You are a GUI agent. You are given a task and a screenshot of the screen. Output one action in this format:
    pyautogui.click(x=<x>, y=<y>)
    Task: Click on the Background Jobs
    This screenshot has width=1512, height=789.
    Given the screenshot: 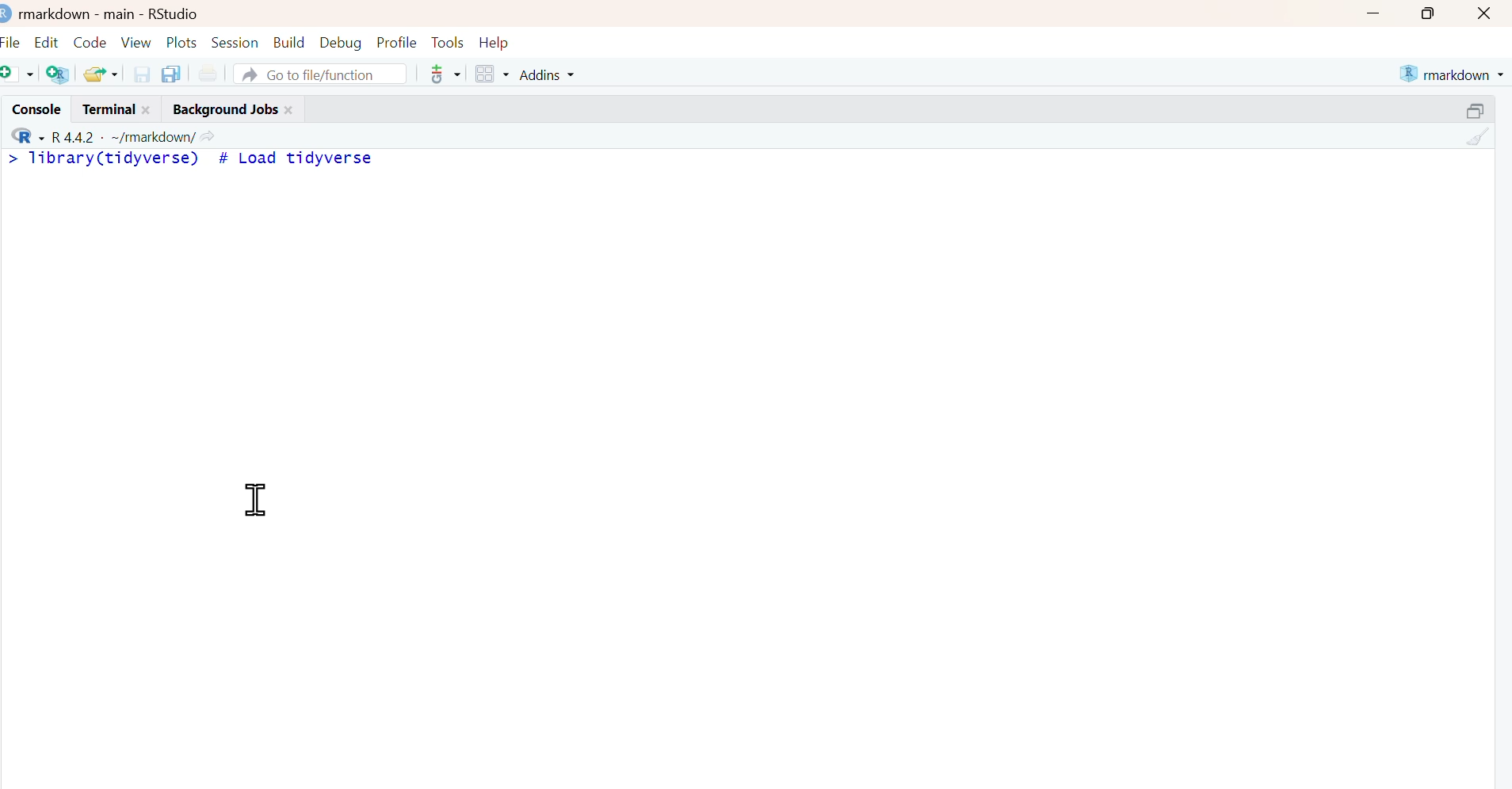 What is the action you would take?
    pyautogui.click(x=223, y=108)
    